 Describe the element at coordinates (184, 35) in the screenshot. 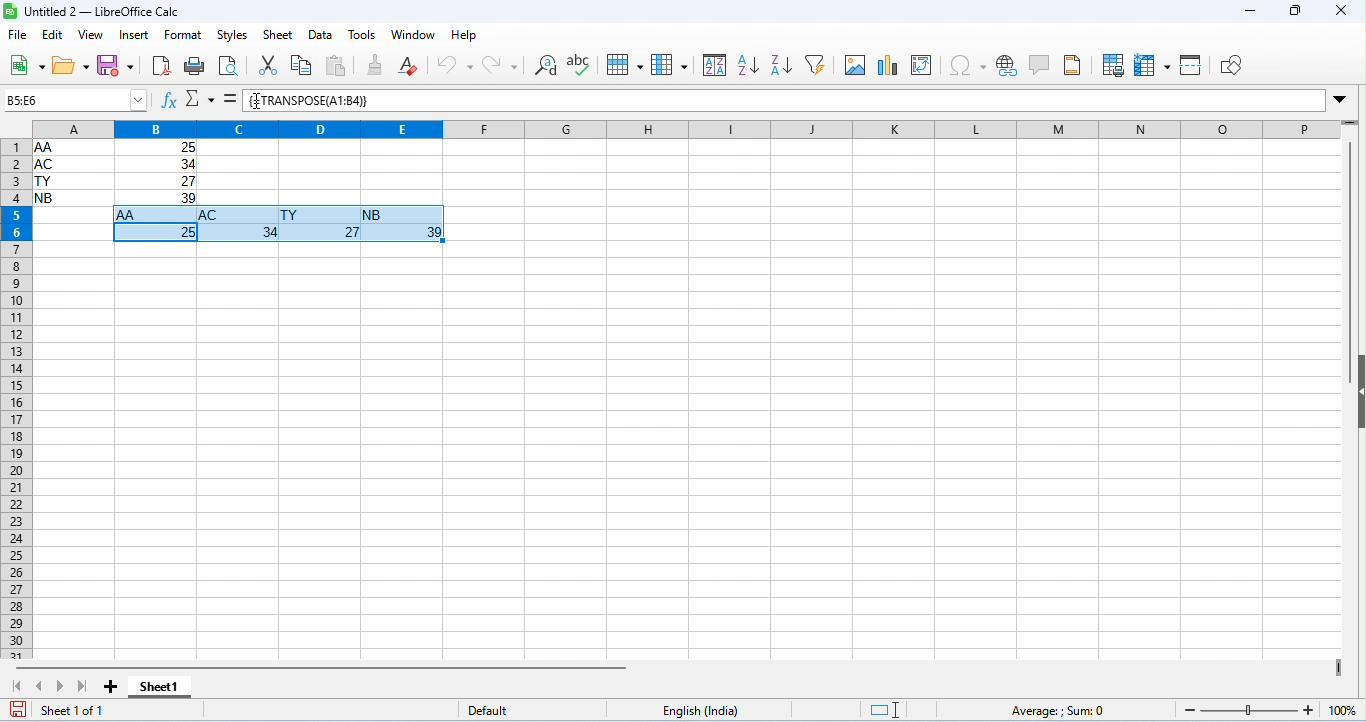

I see `format` at that location.